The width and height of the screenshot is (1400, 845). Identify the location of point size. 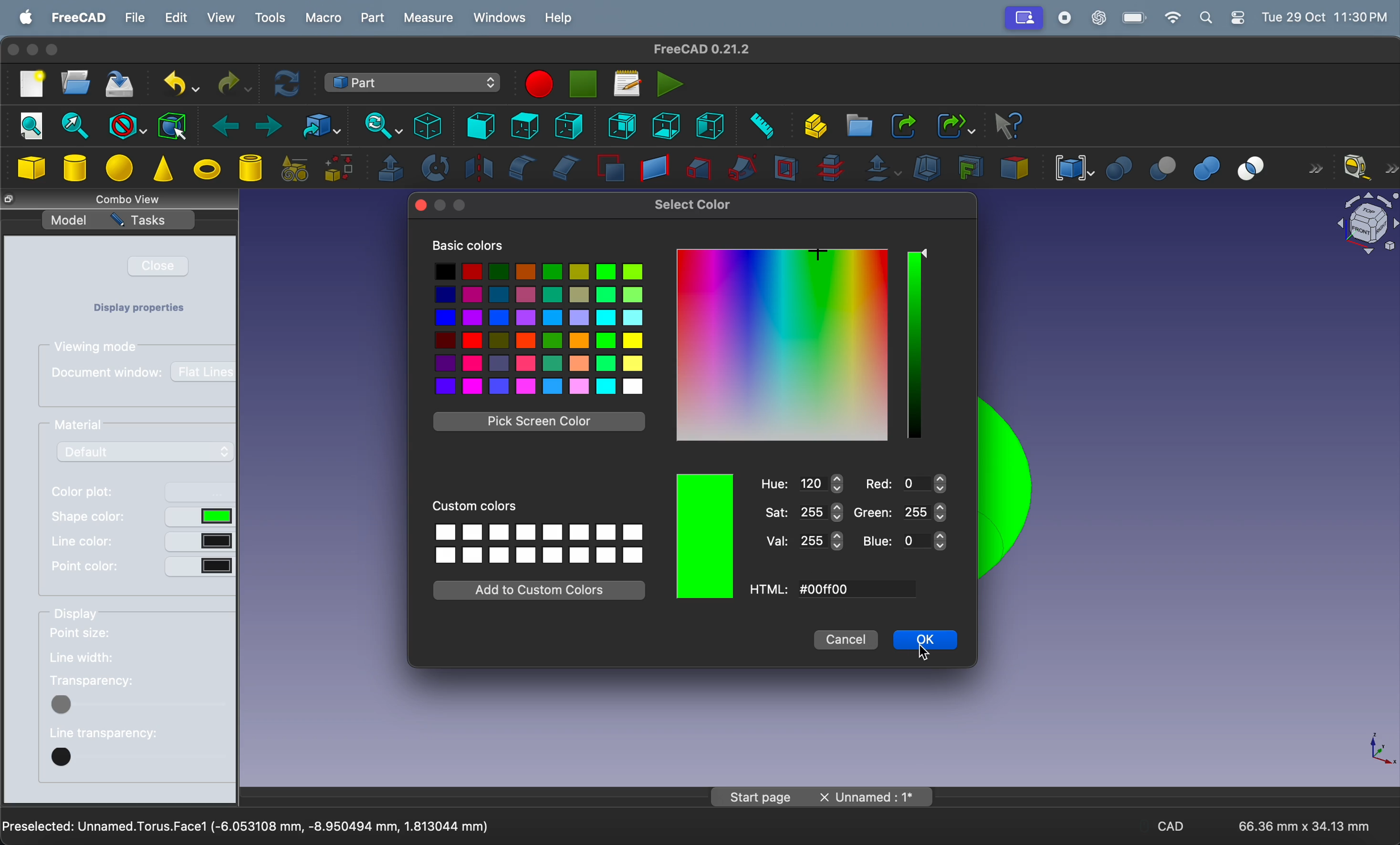
(97, 635).